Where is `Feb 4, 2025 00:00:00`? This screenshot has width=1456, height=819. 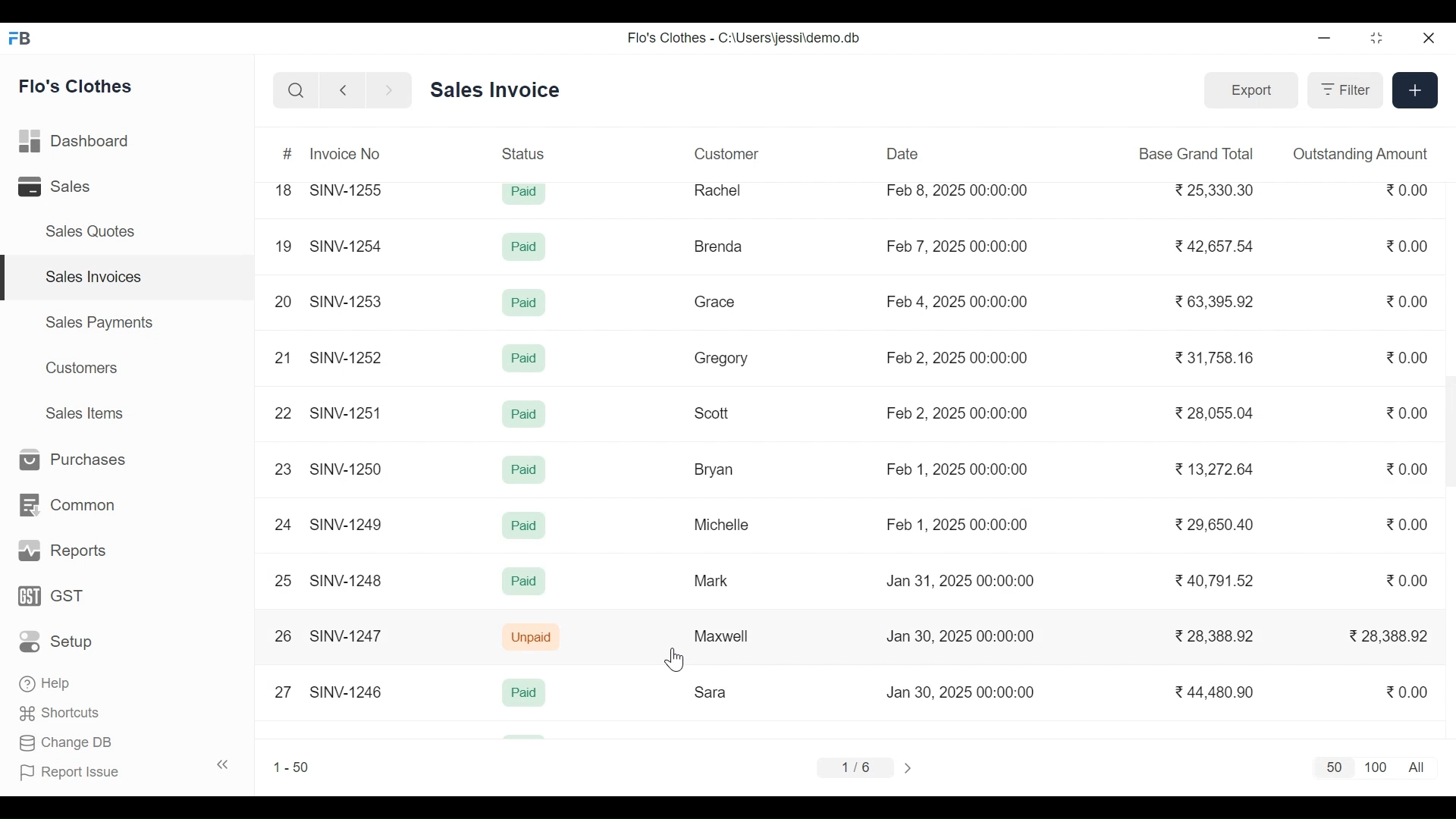
Feb 4, 2025 00:00:00 is located at coordinates (958, 302).